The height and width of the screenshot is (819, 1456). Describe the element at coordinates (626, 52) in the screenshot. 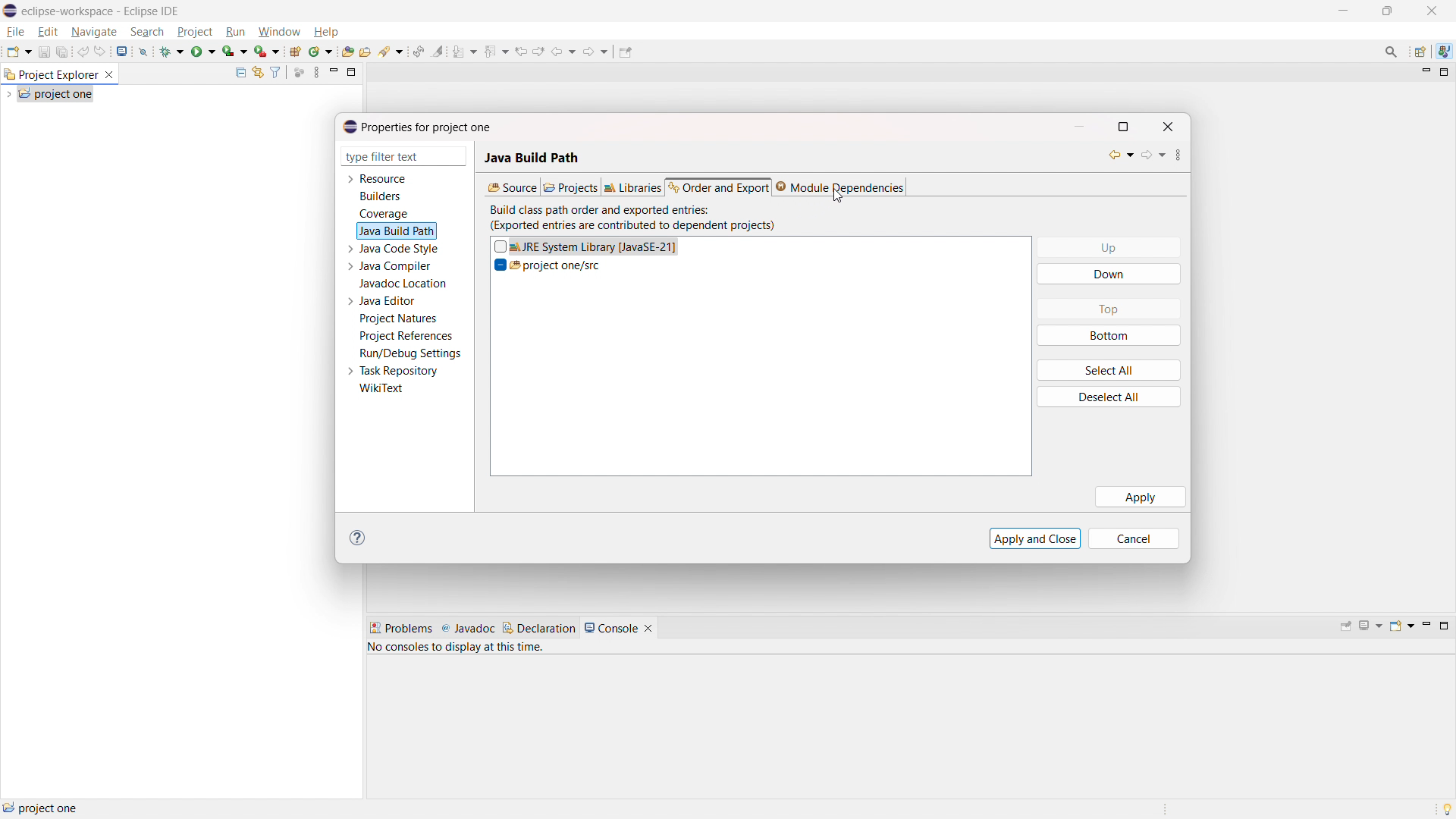

I see `pin editor` at that location.